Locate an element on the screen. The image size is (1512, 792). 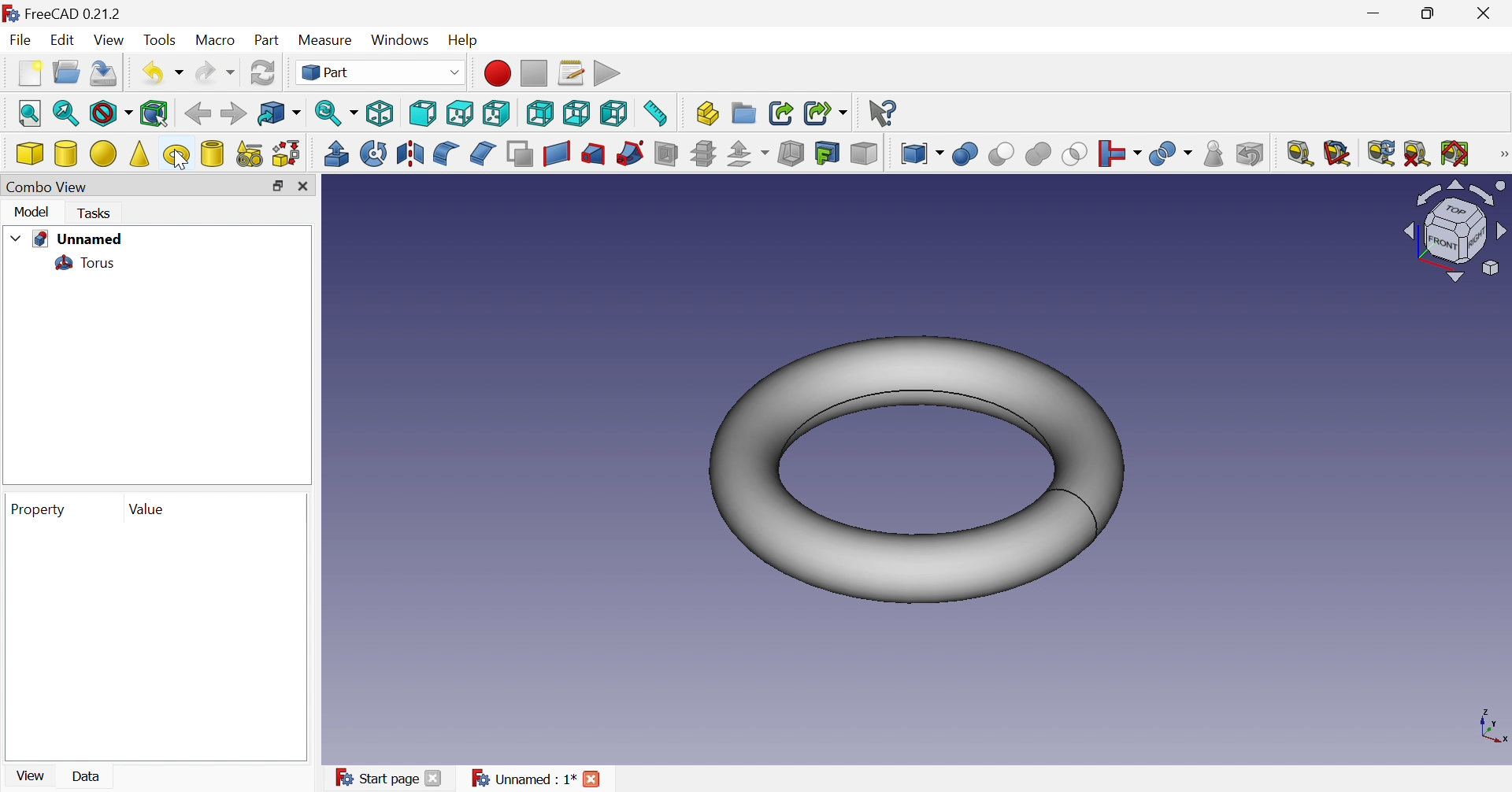
Macro is located at coordinates (213, 39).